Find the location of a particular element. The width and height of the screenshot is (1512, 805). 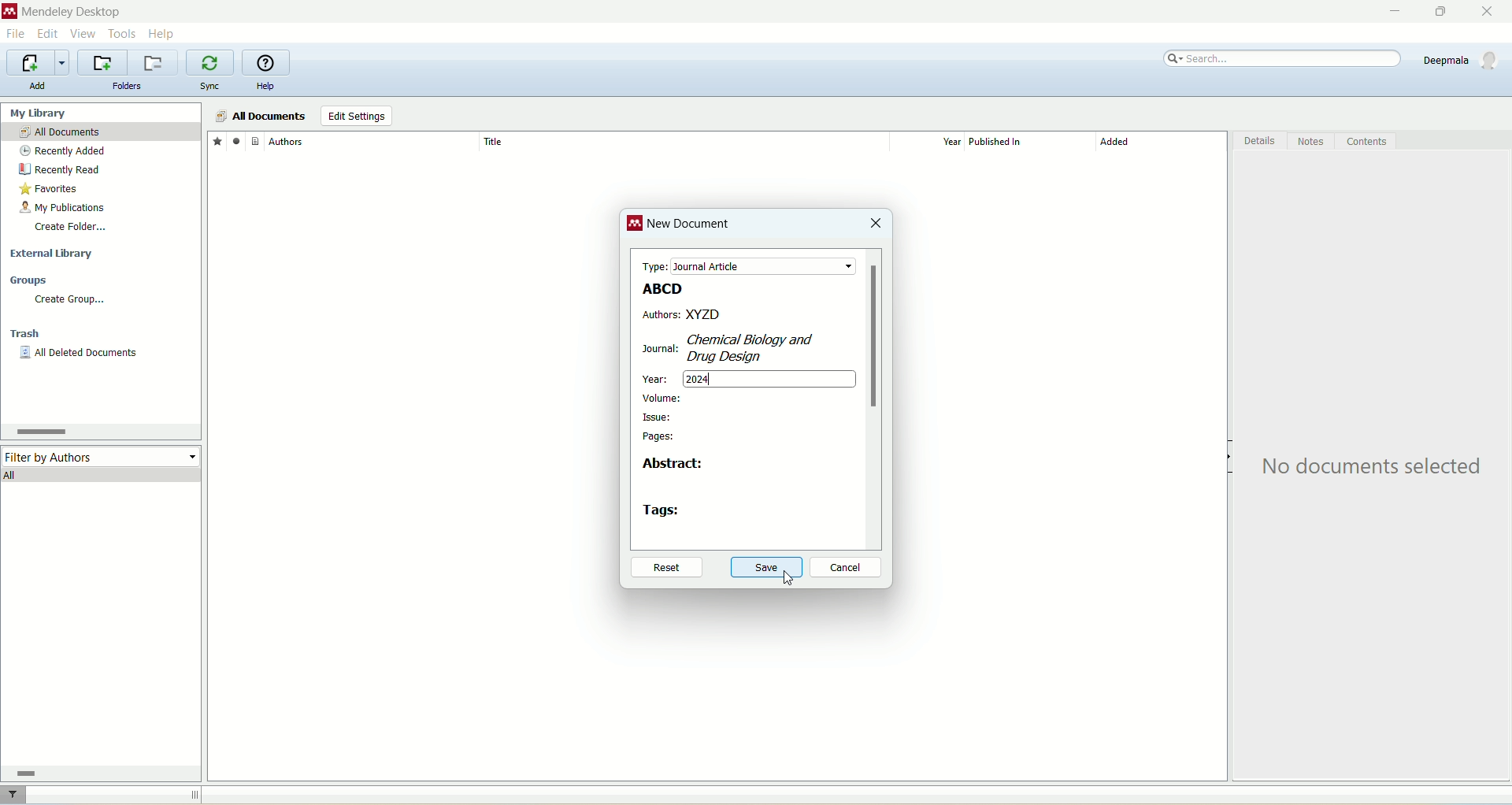

details is located at coordinates (1261, 143).